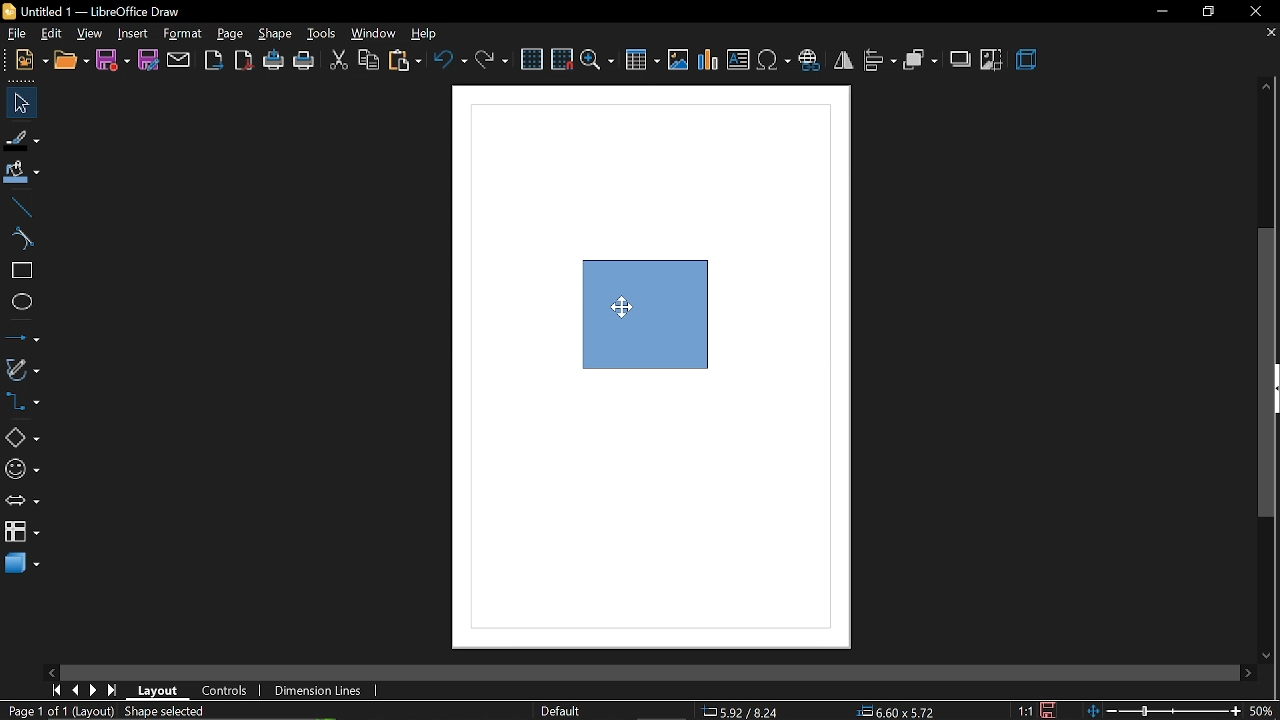  I want to click on Insert, so click(134, 34).